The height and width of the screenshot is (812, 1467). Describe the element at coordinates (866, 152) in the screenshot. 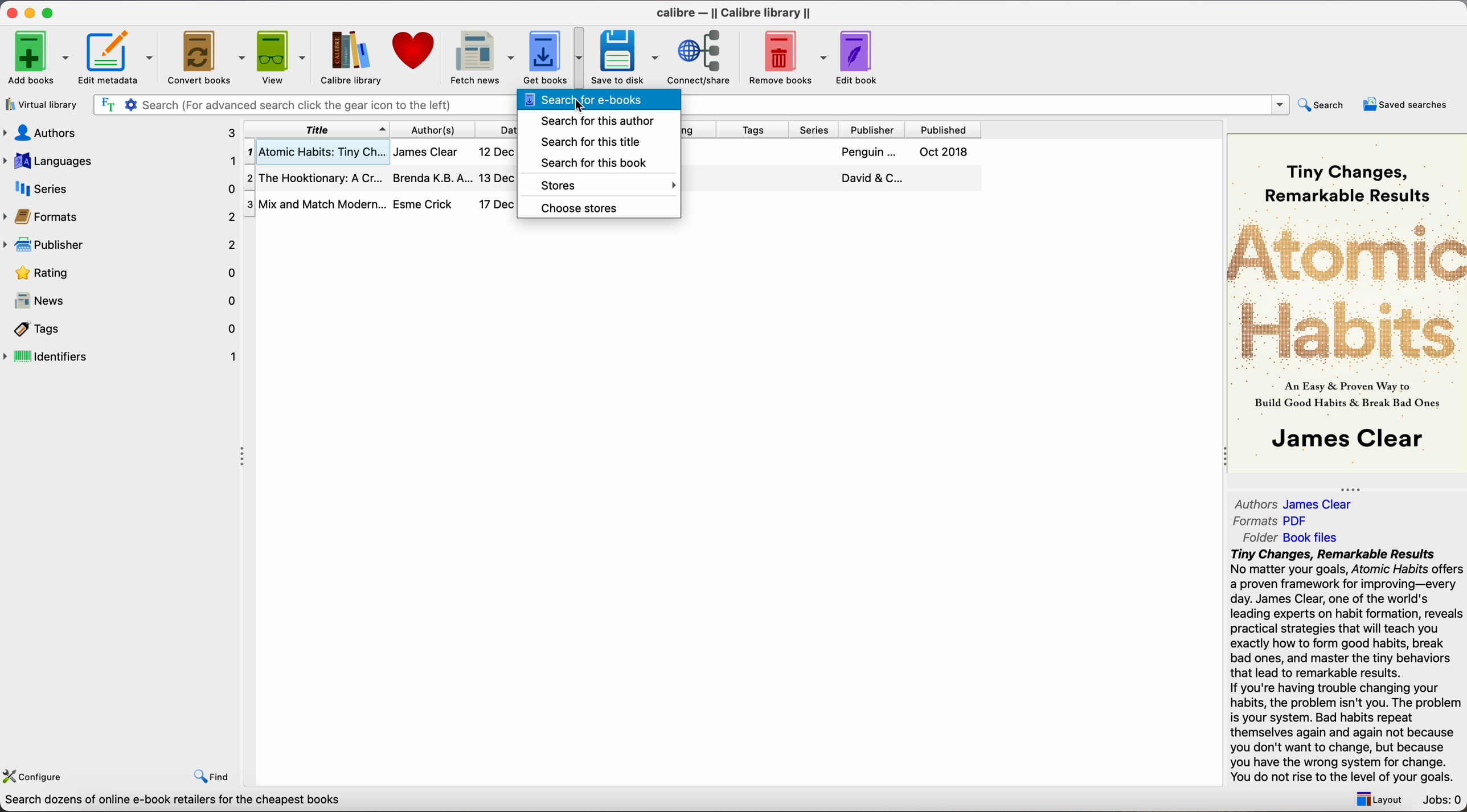

I see `Penguin...` at that location.